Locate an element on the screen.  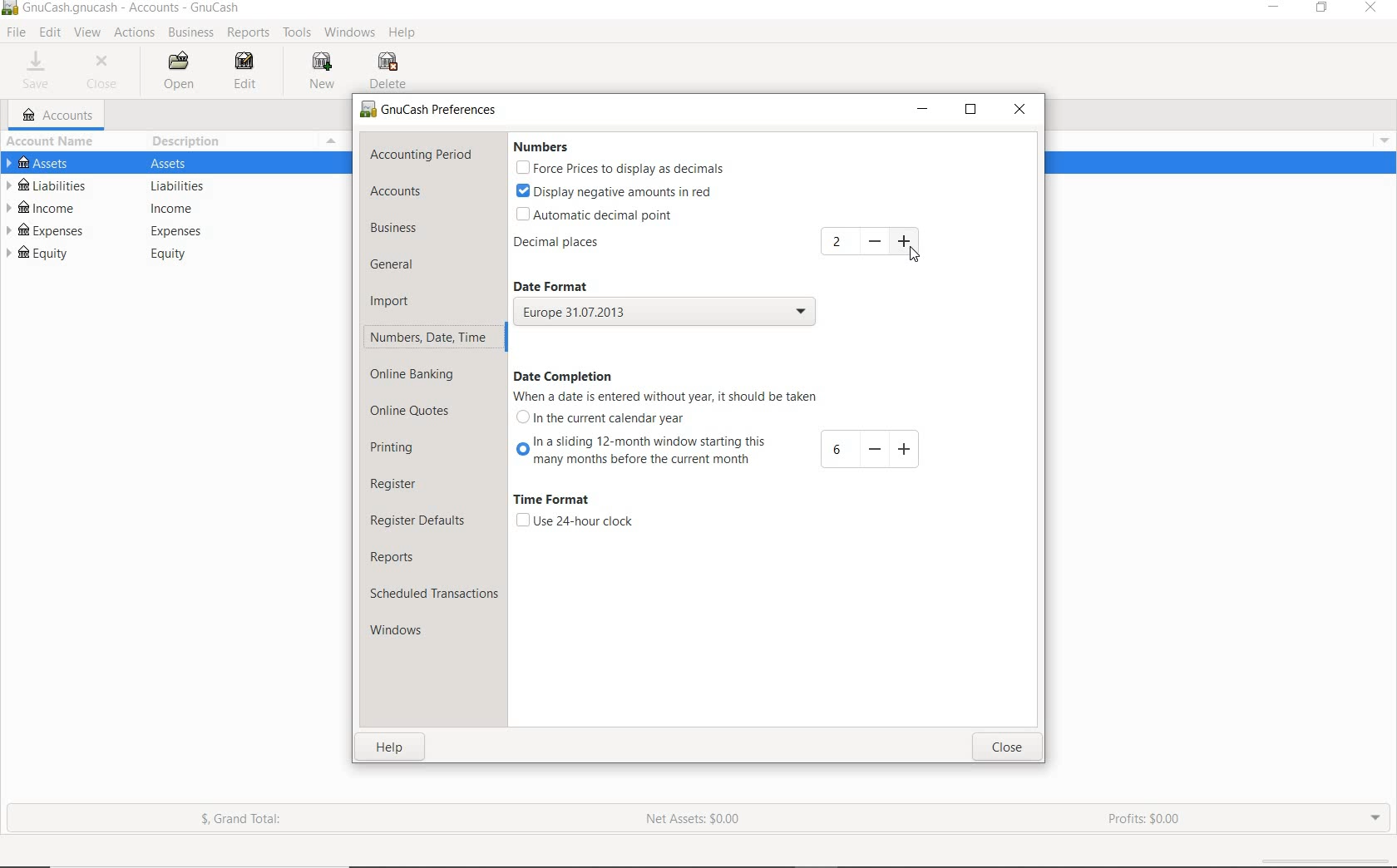
printing is located at coordinates (399, 451).